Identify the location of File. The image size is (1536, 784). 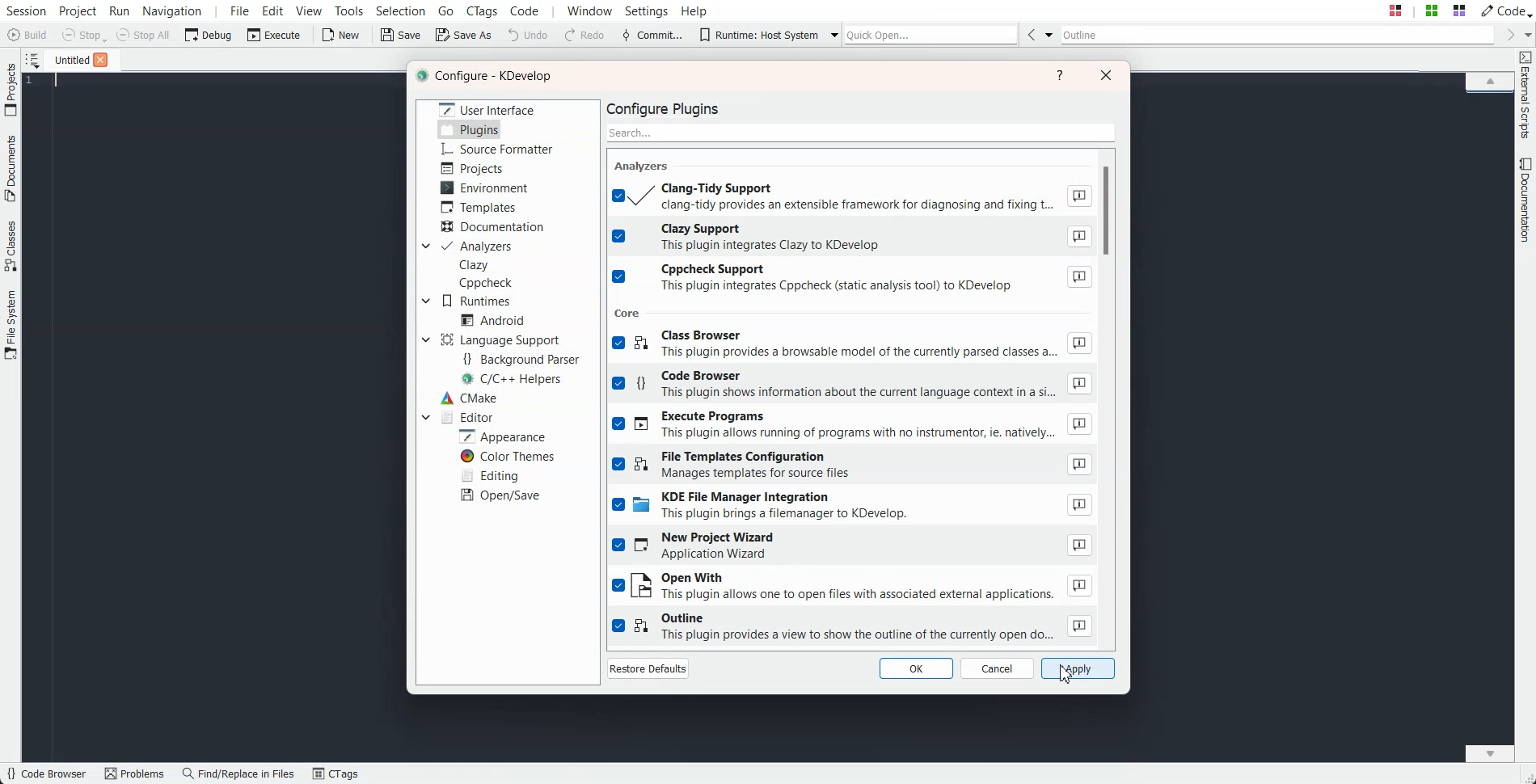
(67, 59).